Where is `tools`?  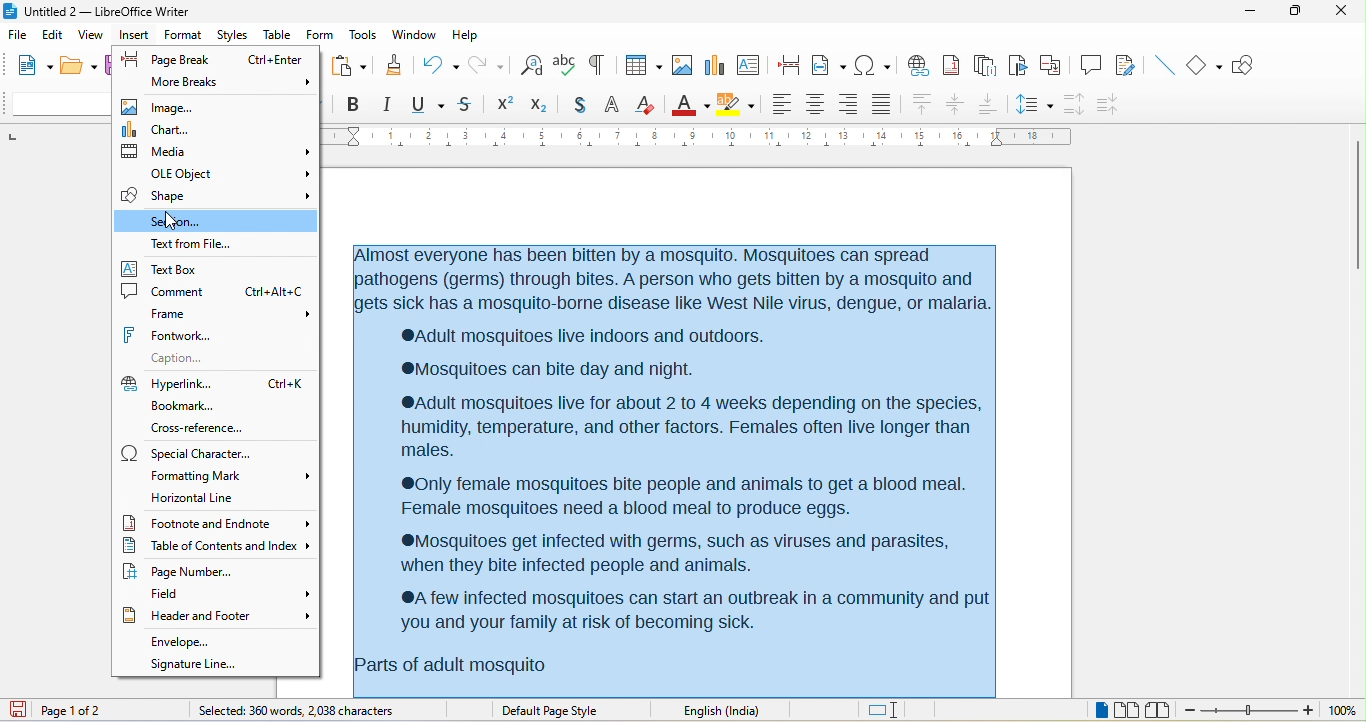
tools is located at coordinates (363, 36).